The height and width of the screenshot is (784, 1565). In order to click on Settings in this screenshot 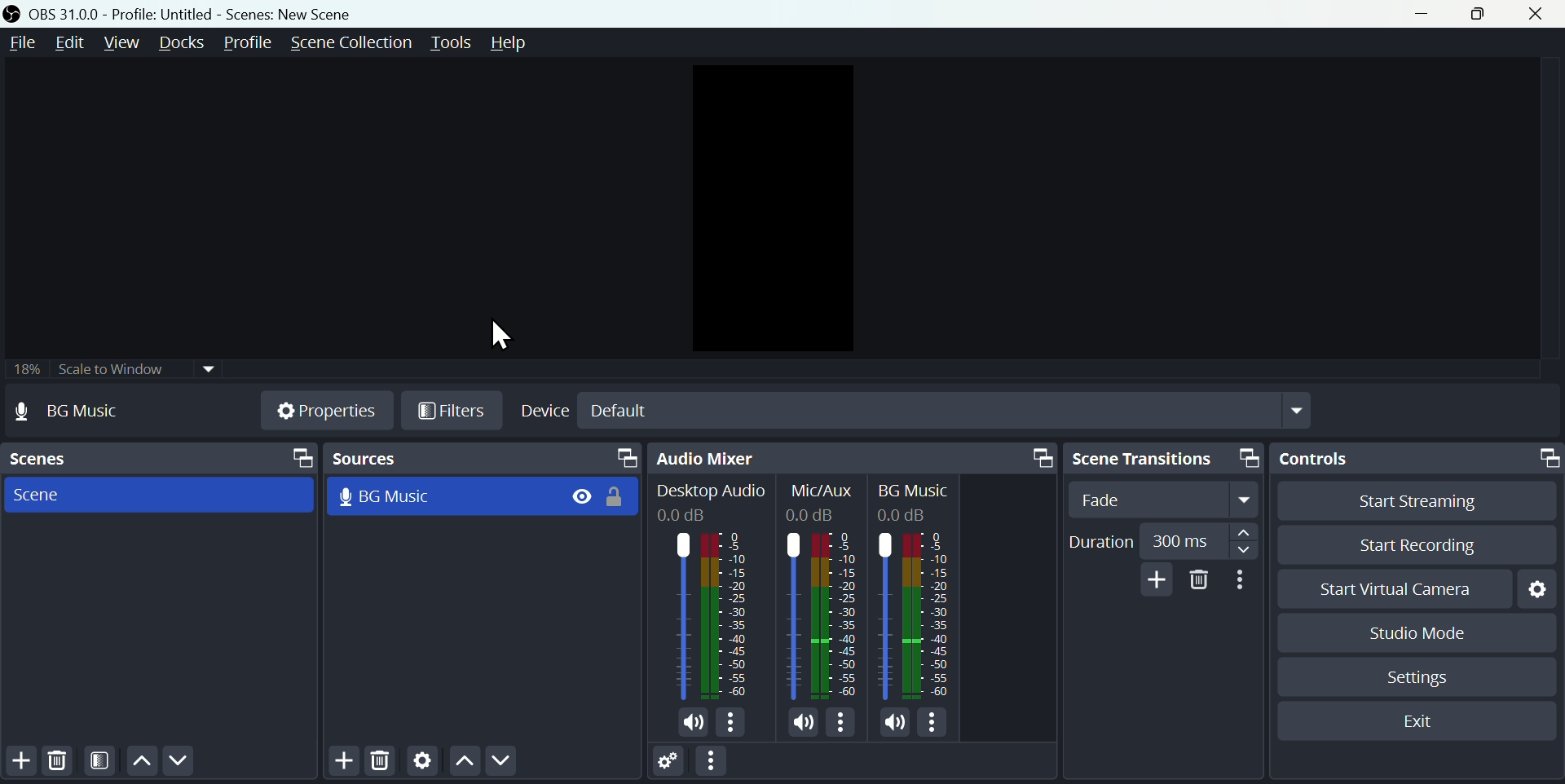, I will do `click(669, 763)`.